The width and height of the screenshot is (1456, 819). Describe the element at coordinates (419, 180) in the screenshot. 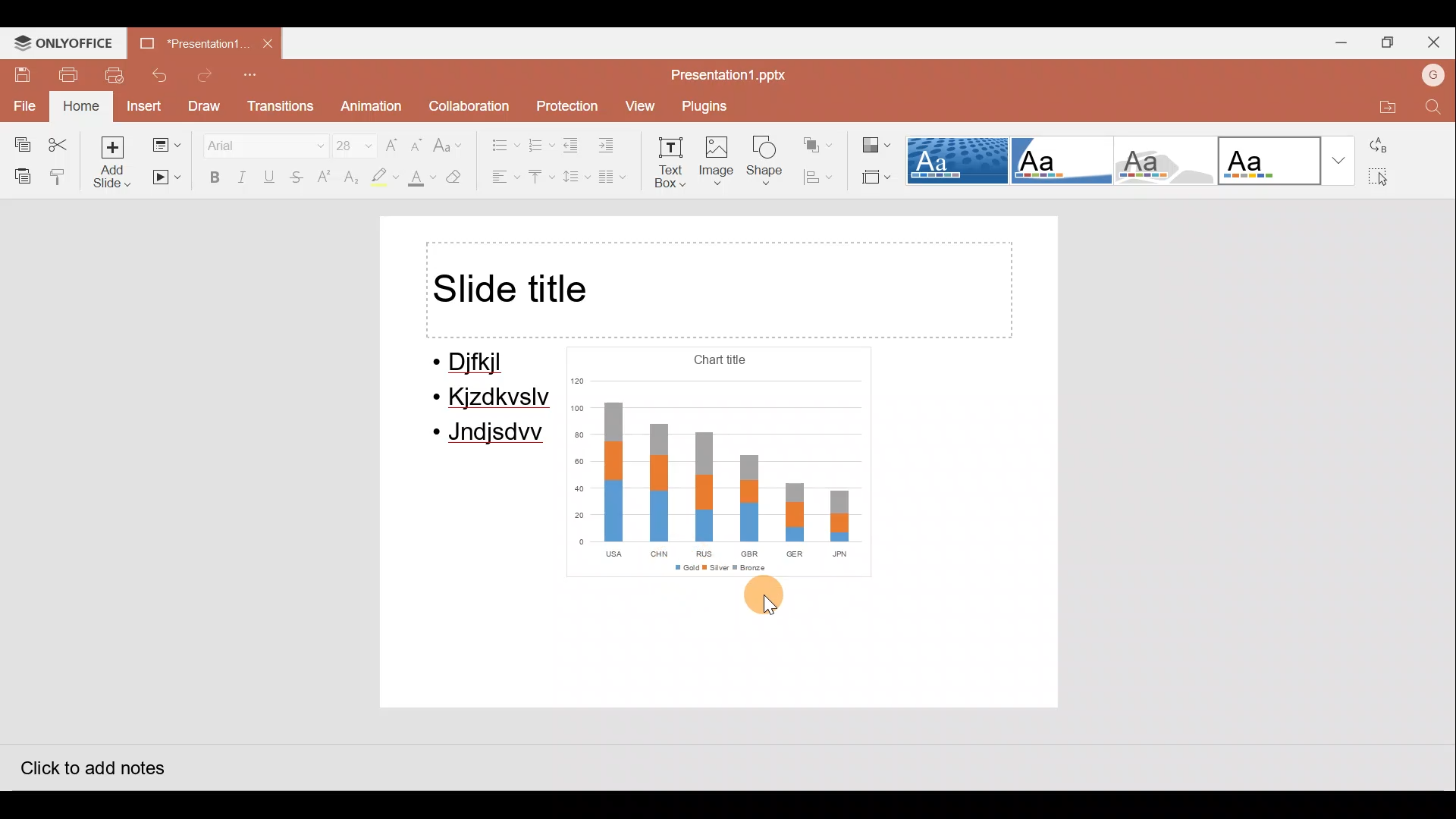

I see `Fill color` at that location.